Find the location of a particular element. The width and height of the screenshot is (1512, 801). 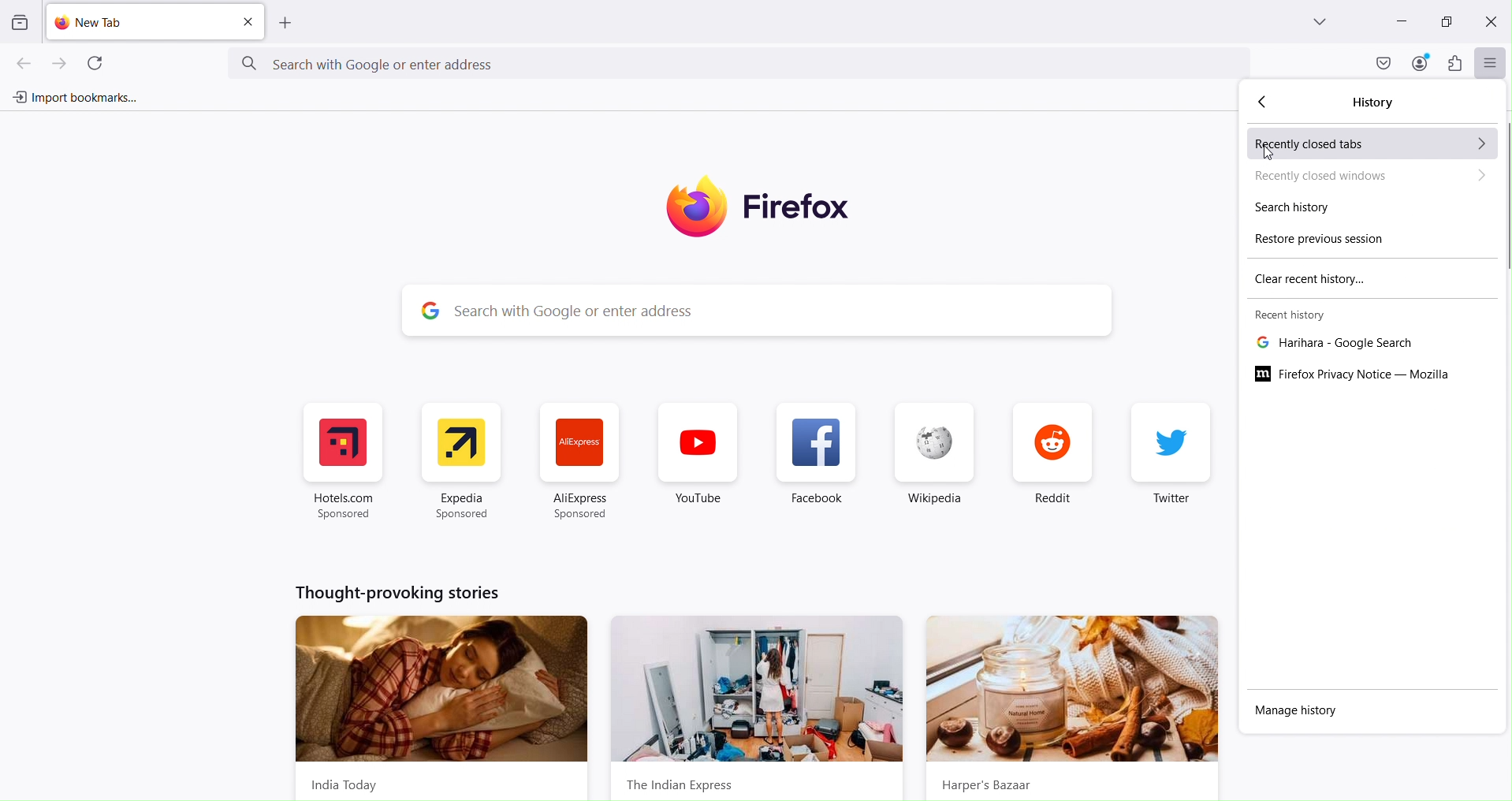

Refresh is located at coordinates (95, 61).